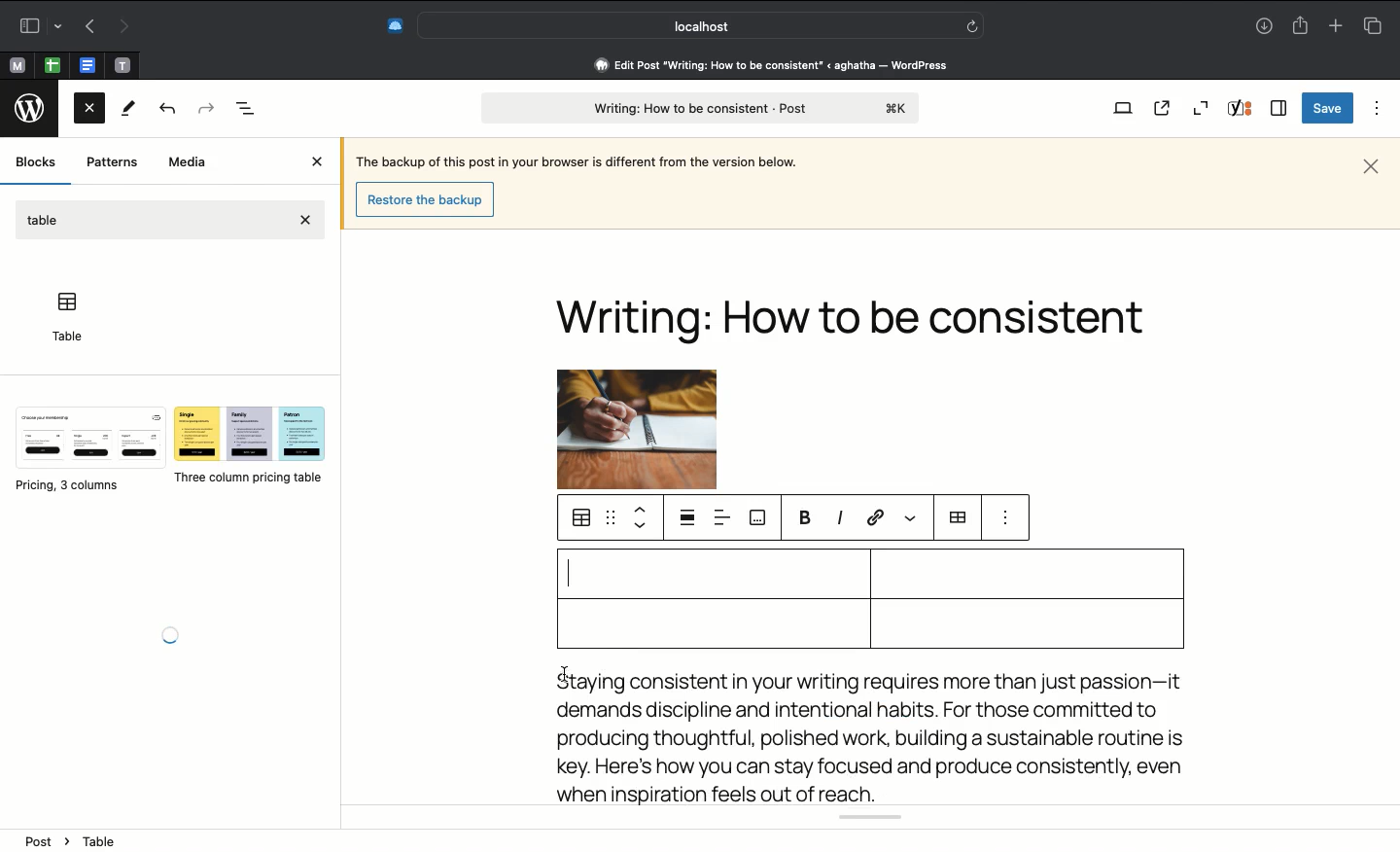 The image size is (1400, 852). Describe the element at coordinates (1327, 108) in the screenshot. I see `Save` at that location.